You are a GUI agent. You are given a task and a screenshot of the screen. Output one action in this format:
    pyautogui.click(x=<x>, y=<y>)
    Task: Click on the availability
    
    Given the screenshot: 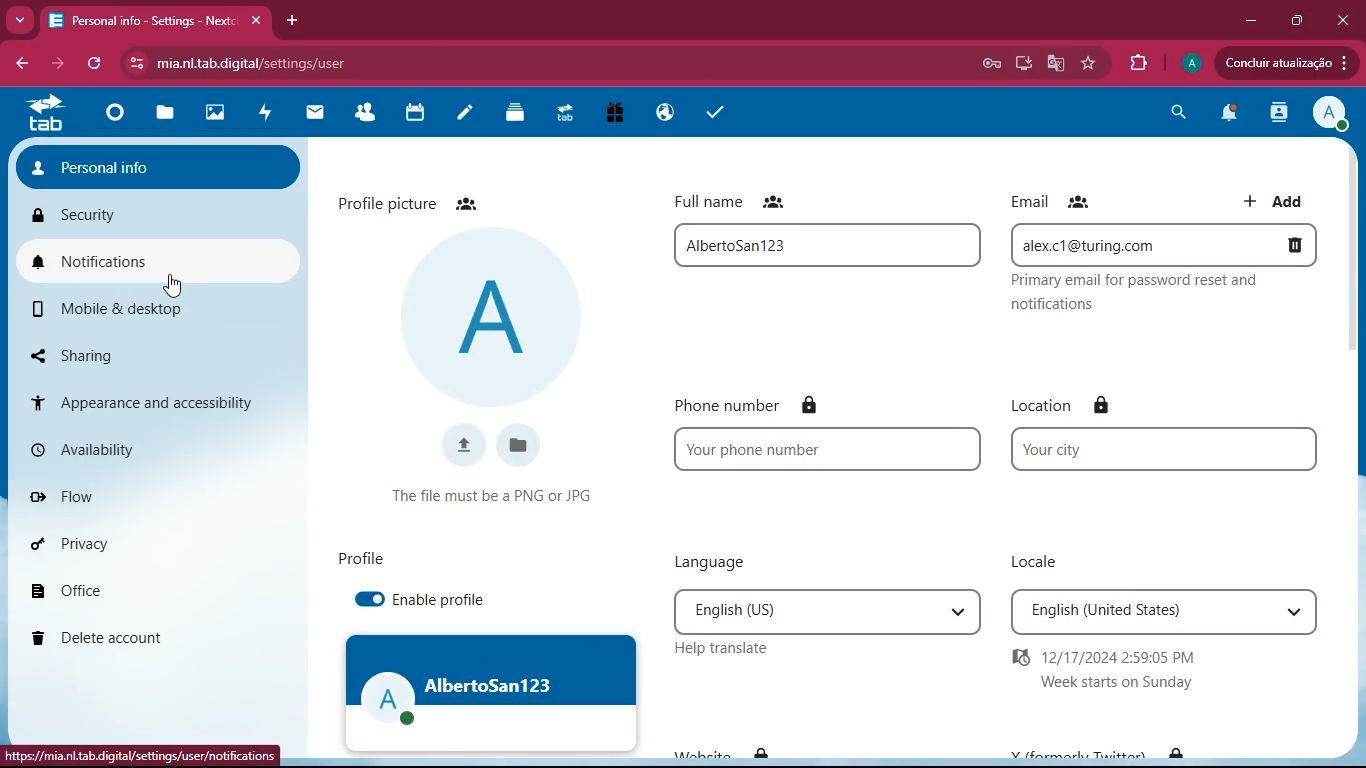 What is the action you would take?
    pyautogui.click(x=143, y=445)
    